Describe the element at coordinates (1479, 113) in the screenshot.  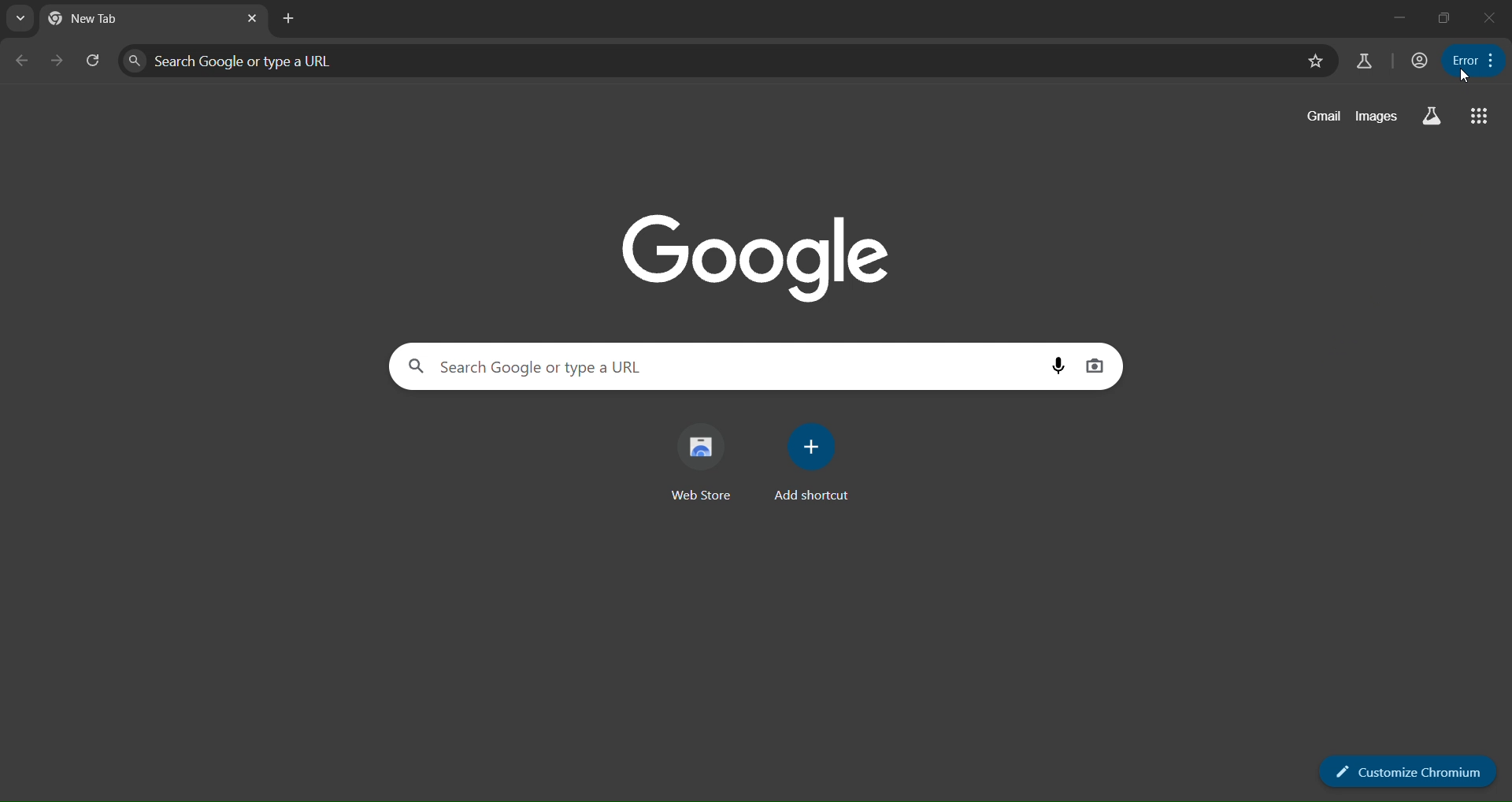
I see `google apps` at that location.